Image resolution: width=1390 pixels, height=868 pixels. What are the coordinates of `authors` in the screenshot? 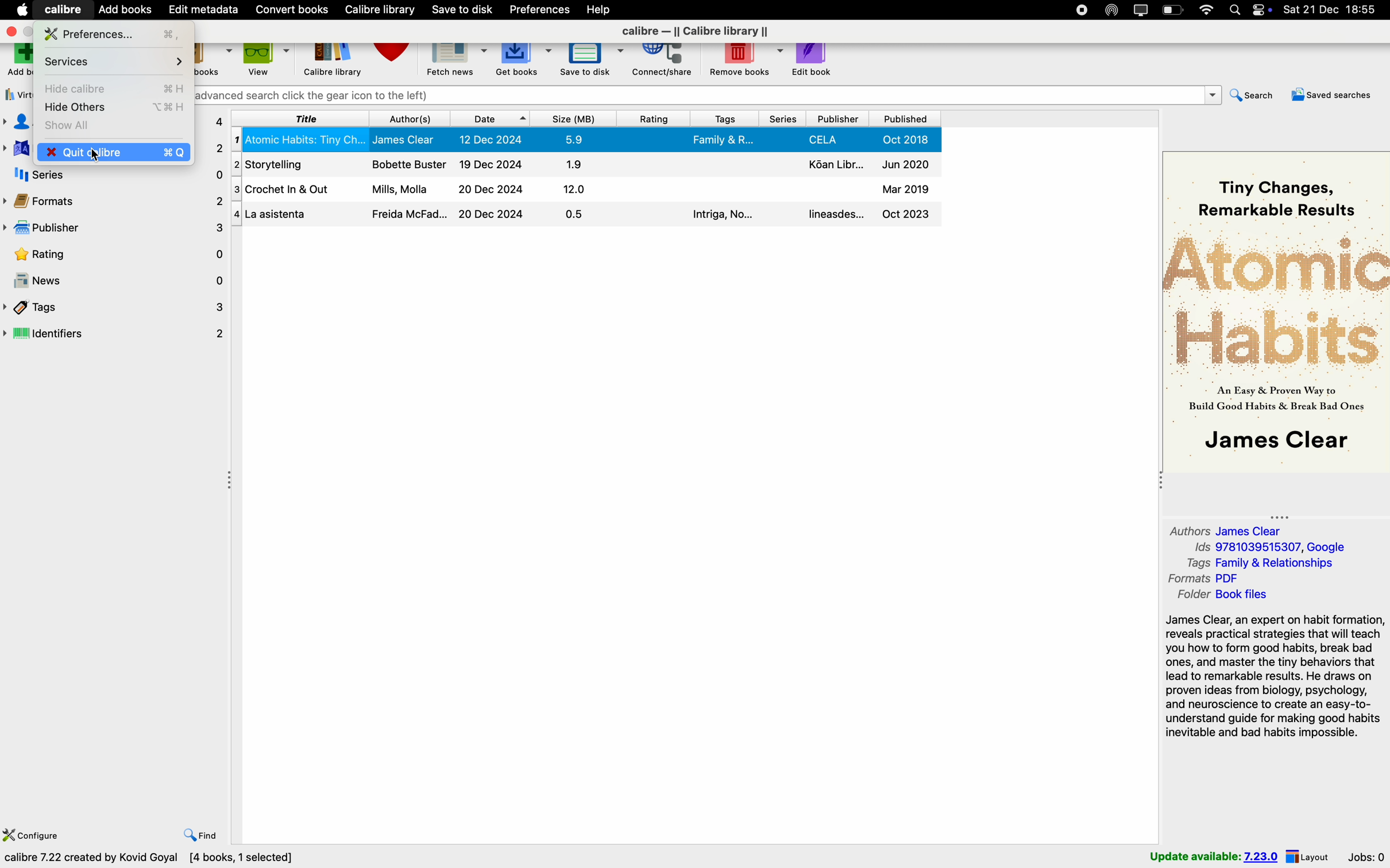 It's located at (16, 123).